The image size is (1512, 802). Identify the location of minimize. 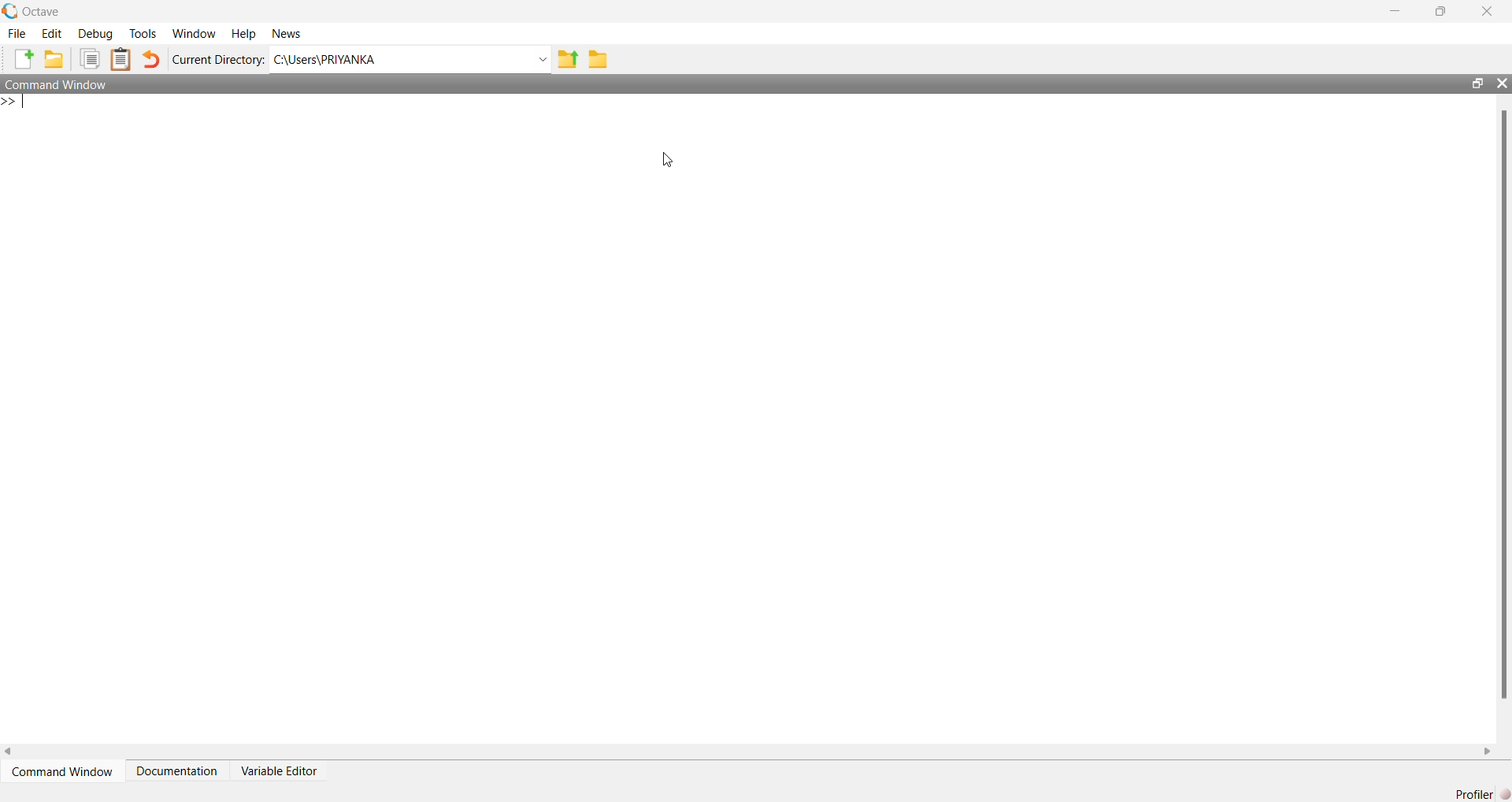
(1395, 11).